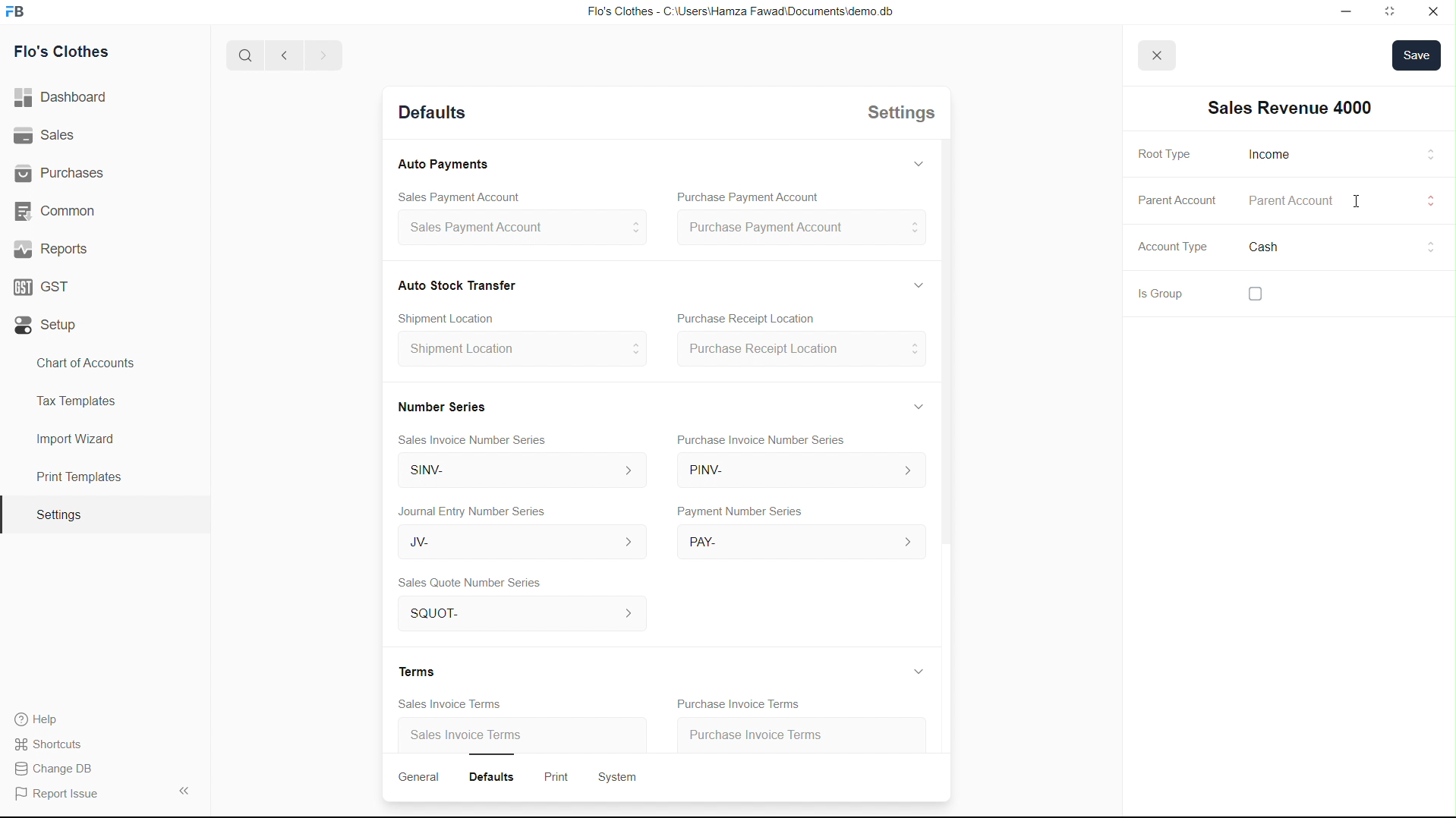  Describe the element at coordinates (1417, 56) in the screenshot. I see `save` at that location.